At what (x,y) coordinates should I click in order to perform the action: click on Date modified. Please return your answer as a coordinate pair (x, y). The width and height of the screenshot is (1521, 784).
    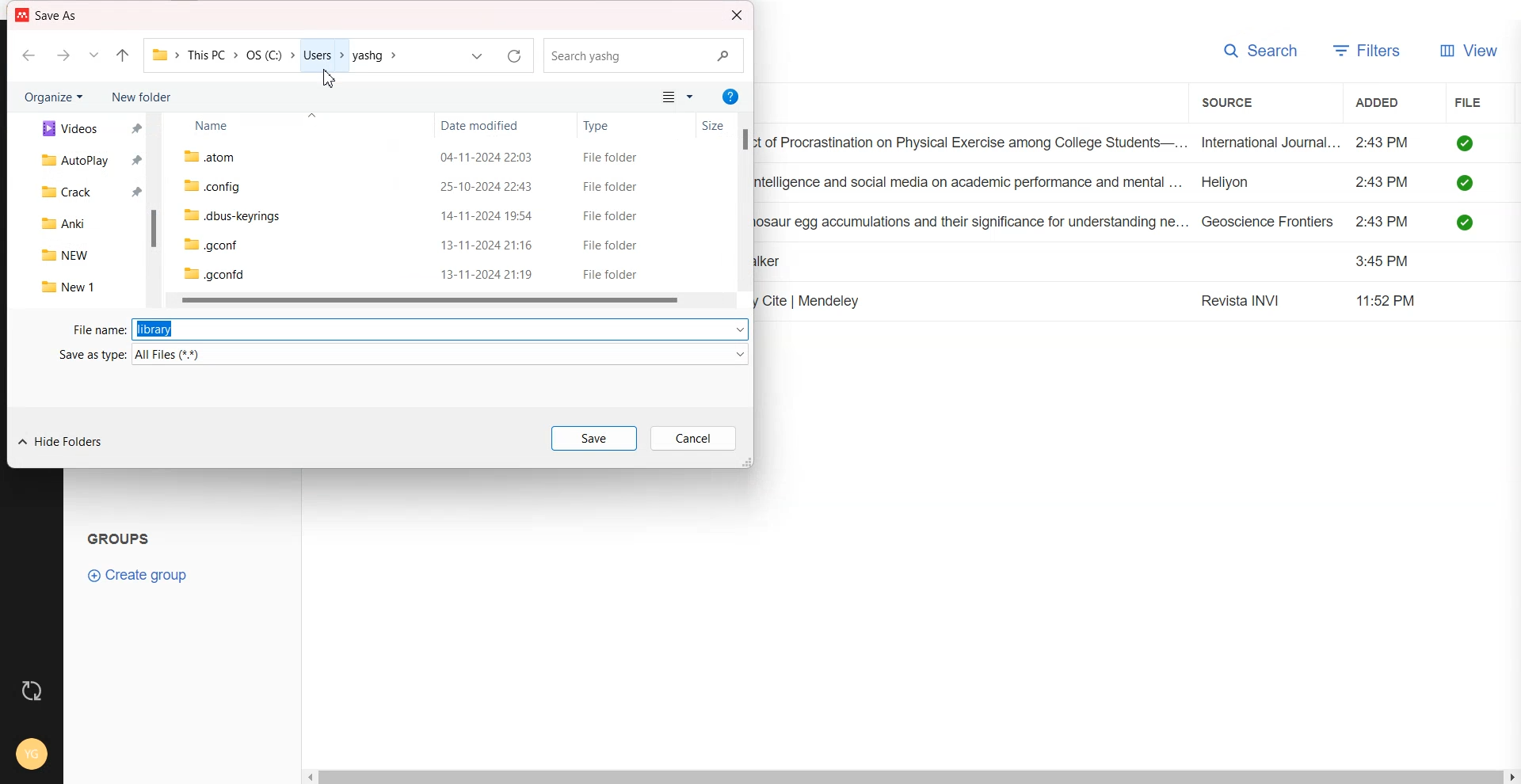
    Looking at the image, I should click on (493, 125).